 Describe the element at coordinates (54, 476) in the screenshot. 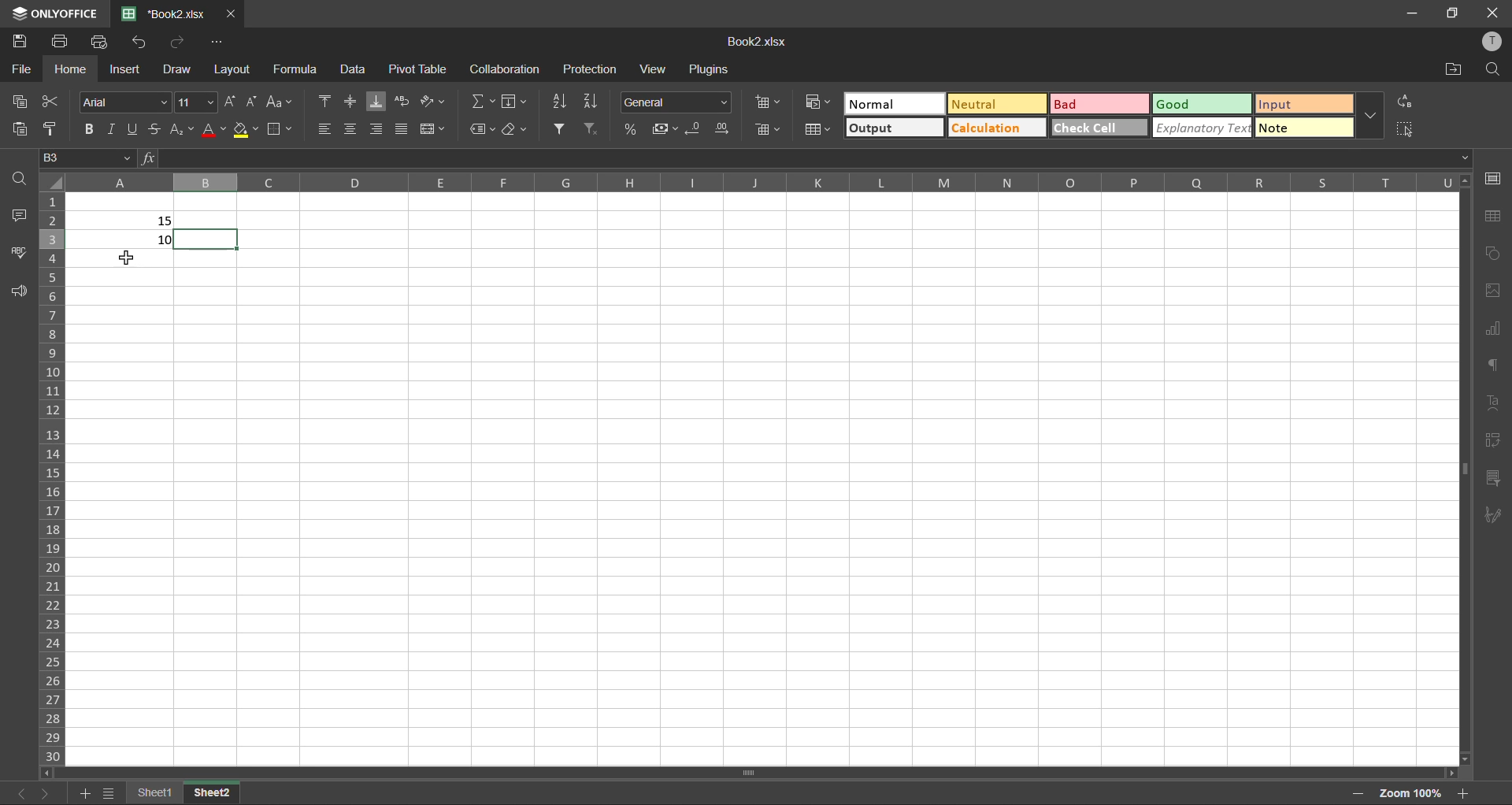

I see `row numbers` at that location.